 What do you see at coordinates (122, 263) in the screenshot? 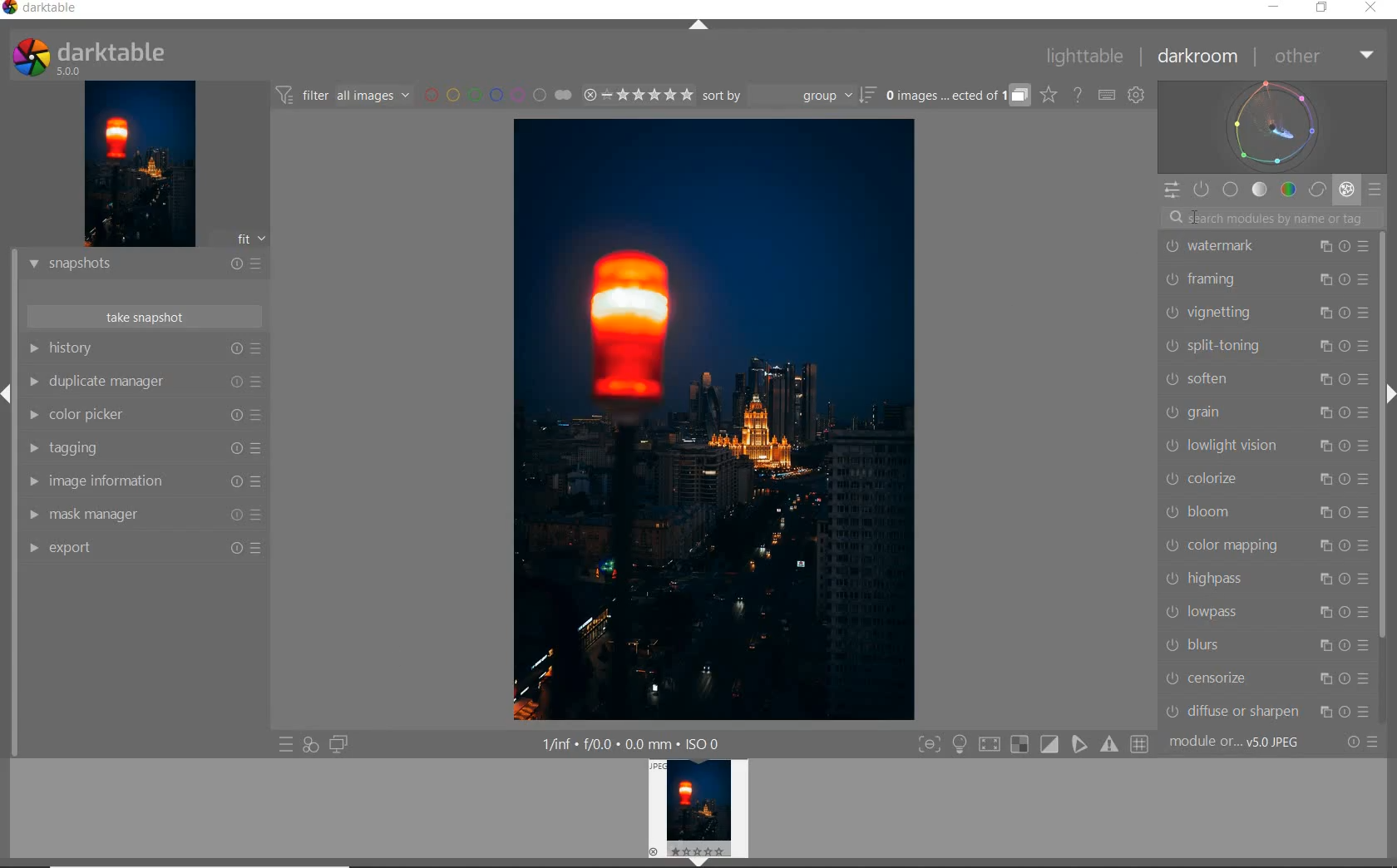
I see `SNAPSHOTS` at bounding box center [122, 263].